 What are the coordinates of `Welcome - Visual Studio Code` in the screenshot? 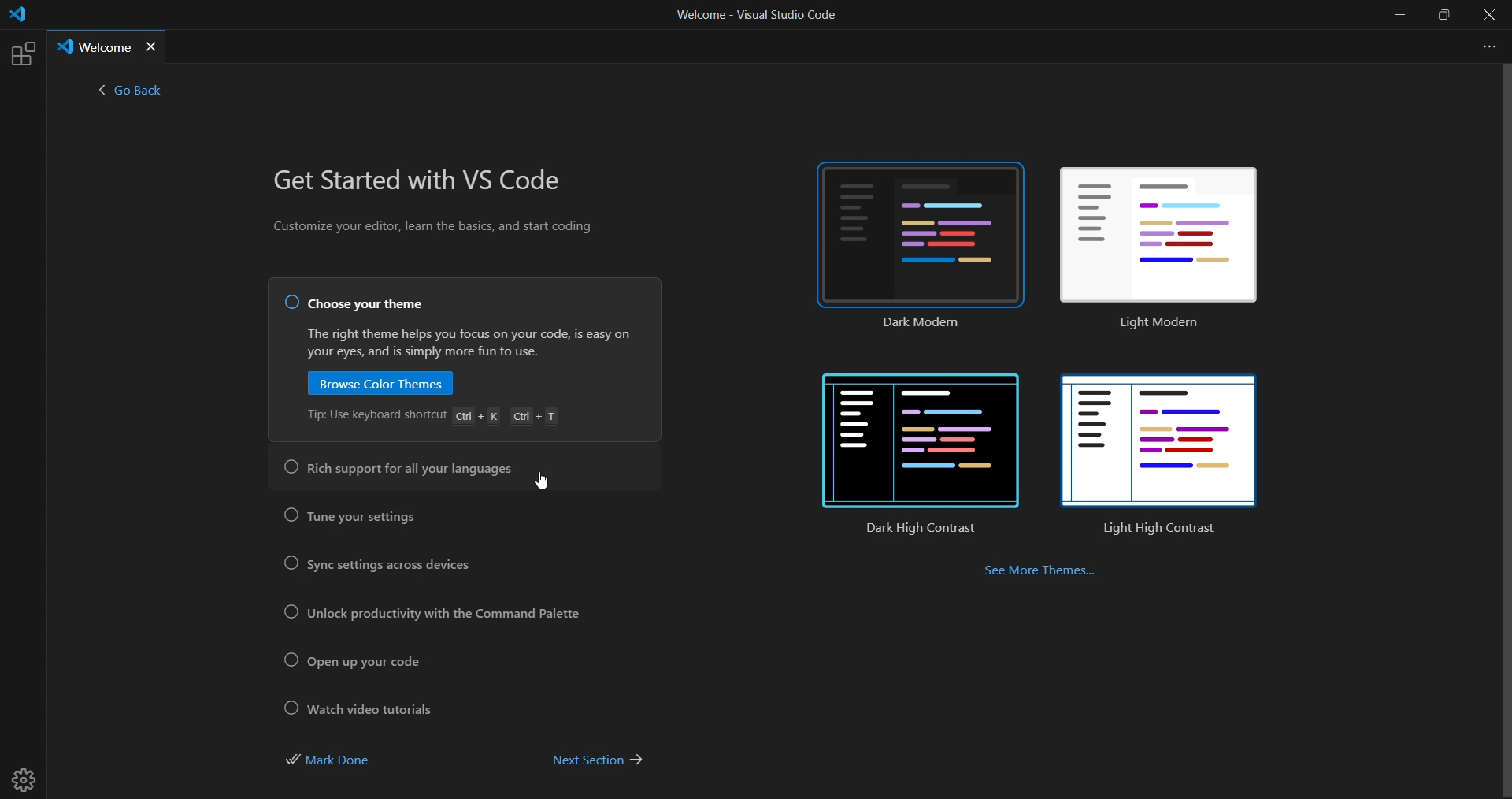 It's located at (755, 19).